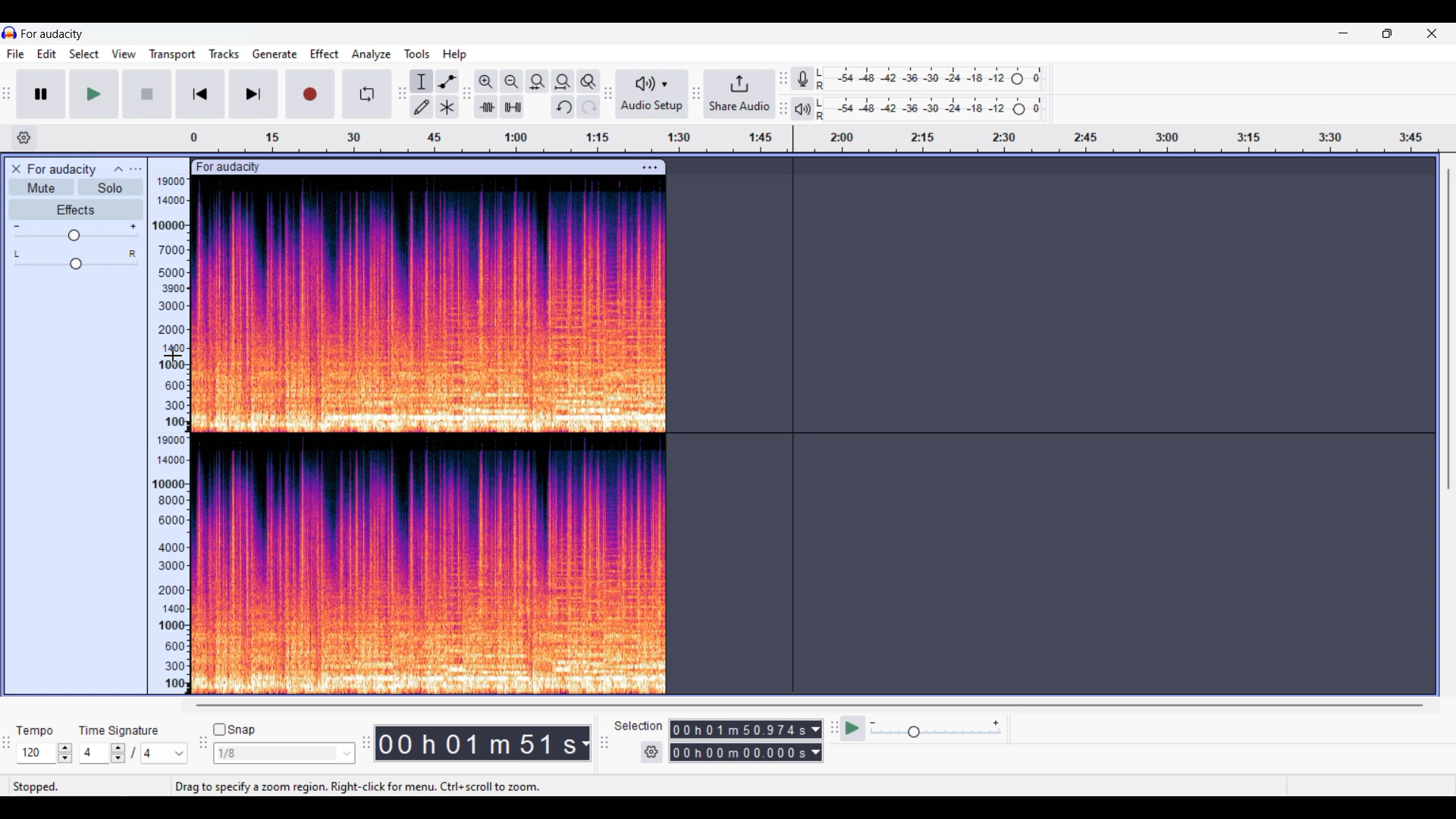 This screenshot has width=1456, height=819. Describe the element at coordinates (585, 743) in the screenshot. I see `Duration measurement options` at that location.